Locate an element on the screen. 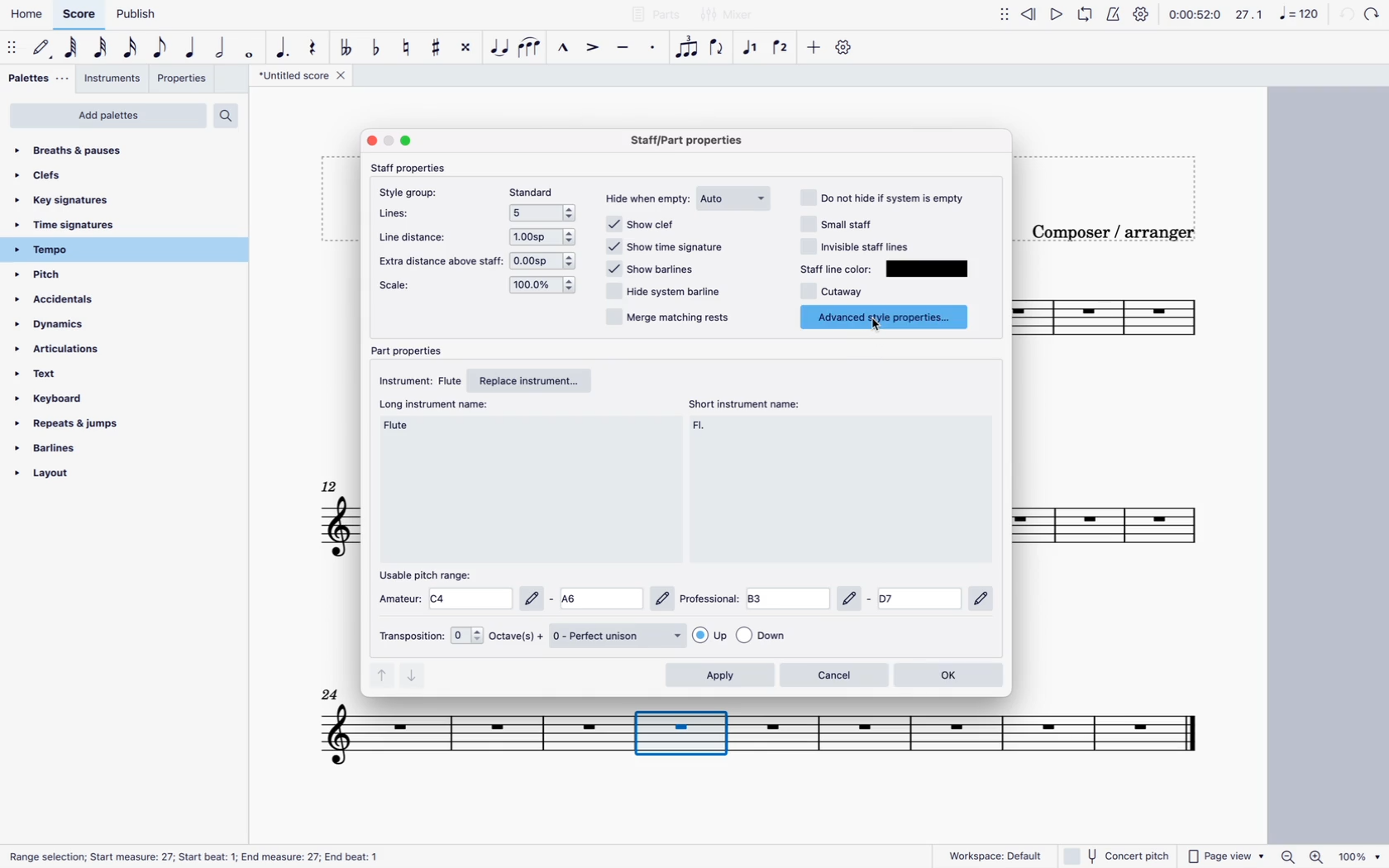  repeats & jumps is located at coordinates (94, 423).